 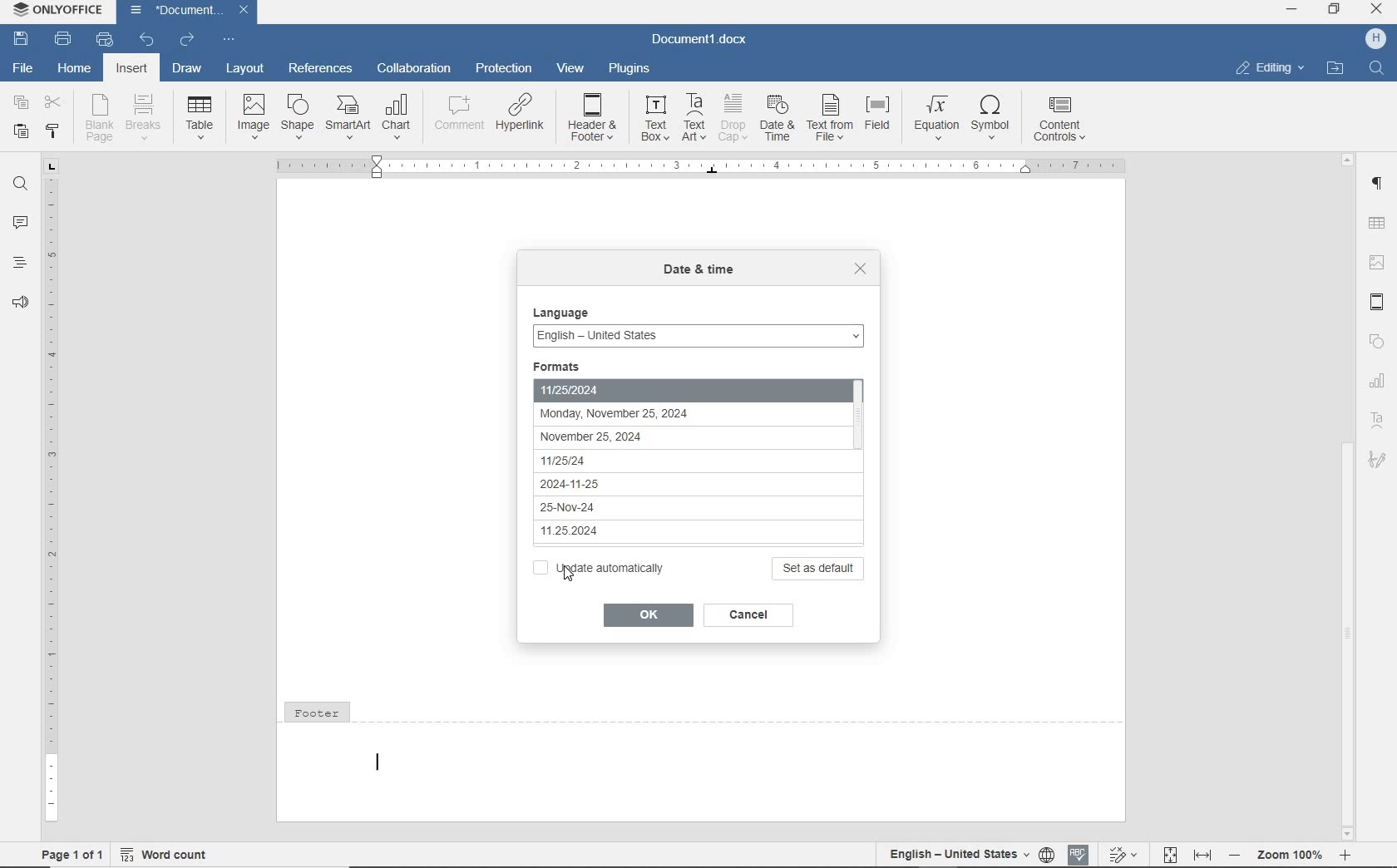 What do you see at coordinates (243, 10) in the screenshot?
I see `Close` at bounding box center [243, 10].